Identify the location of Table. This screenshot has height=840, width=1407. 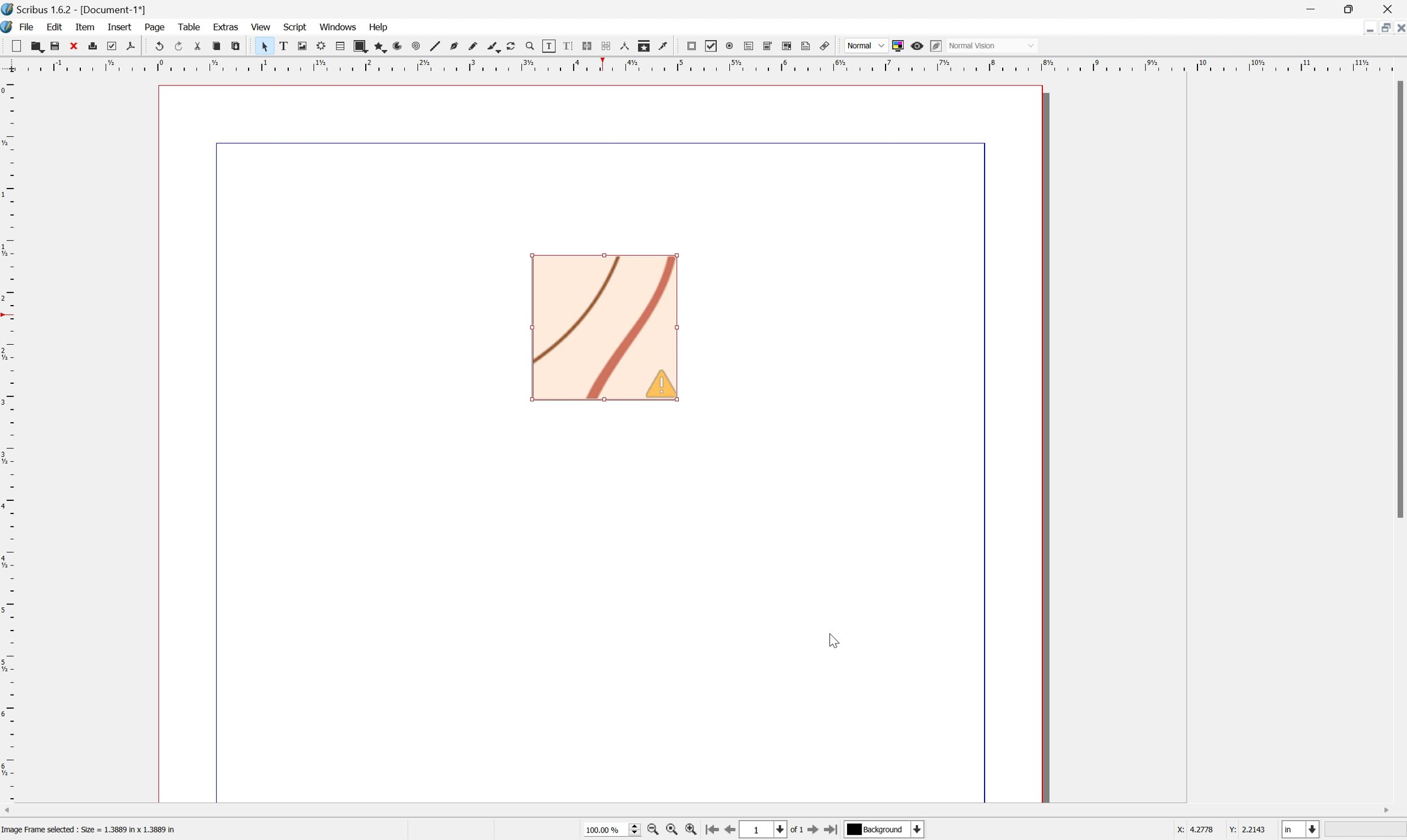
(188, 26).